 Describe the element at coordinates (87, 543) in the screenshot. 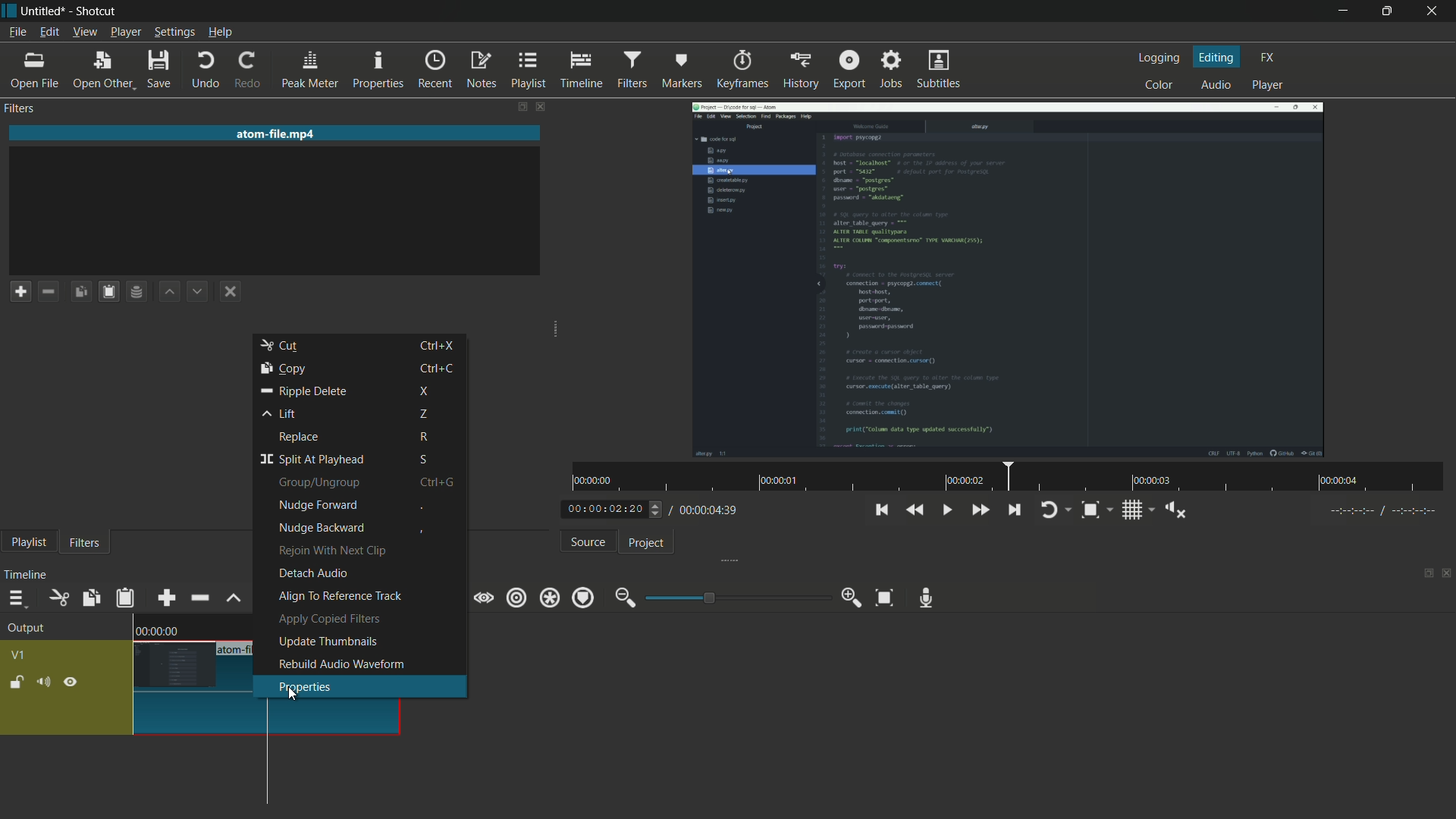

I see `filters` at that location.